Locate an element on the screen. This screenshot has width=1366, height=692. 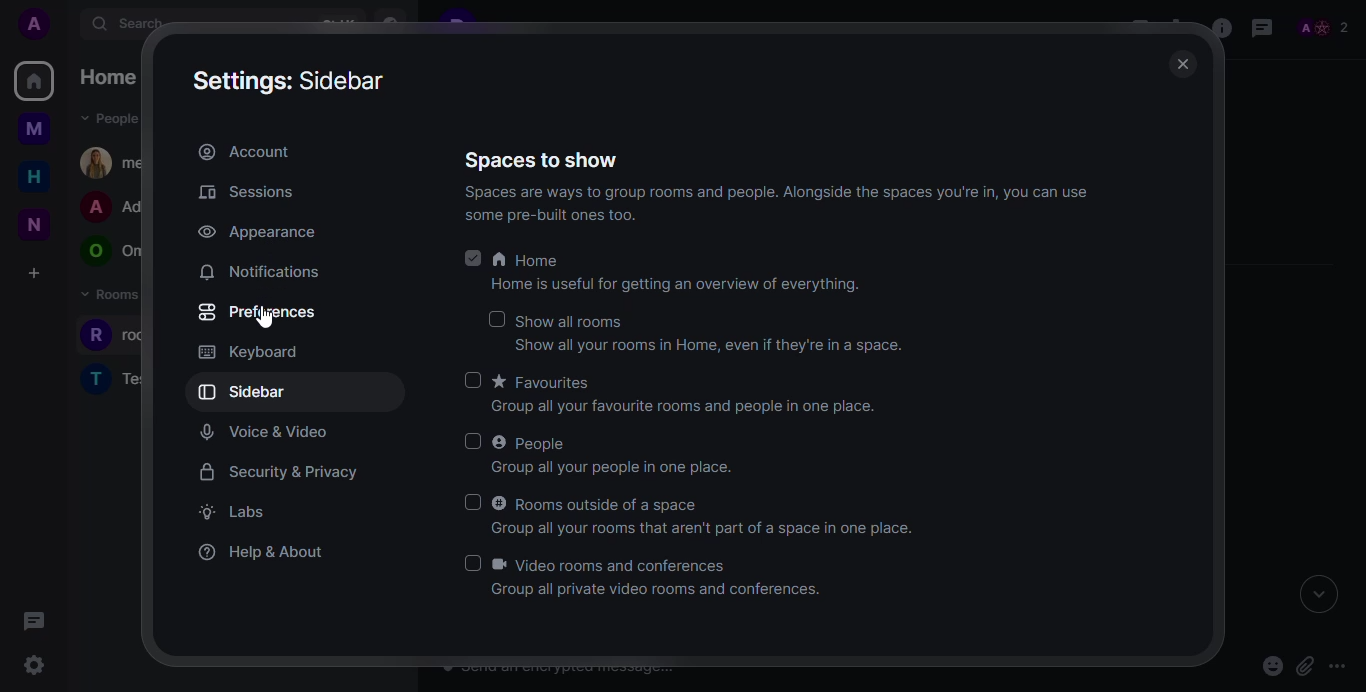
search is located at coordinates (136, 25).